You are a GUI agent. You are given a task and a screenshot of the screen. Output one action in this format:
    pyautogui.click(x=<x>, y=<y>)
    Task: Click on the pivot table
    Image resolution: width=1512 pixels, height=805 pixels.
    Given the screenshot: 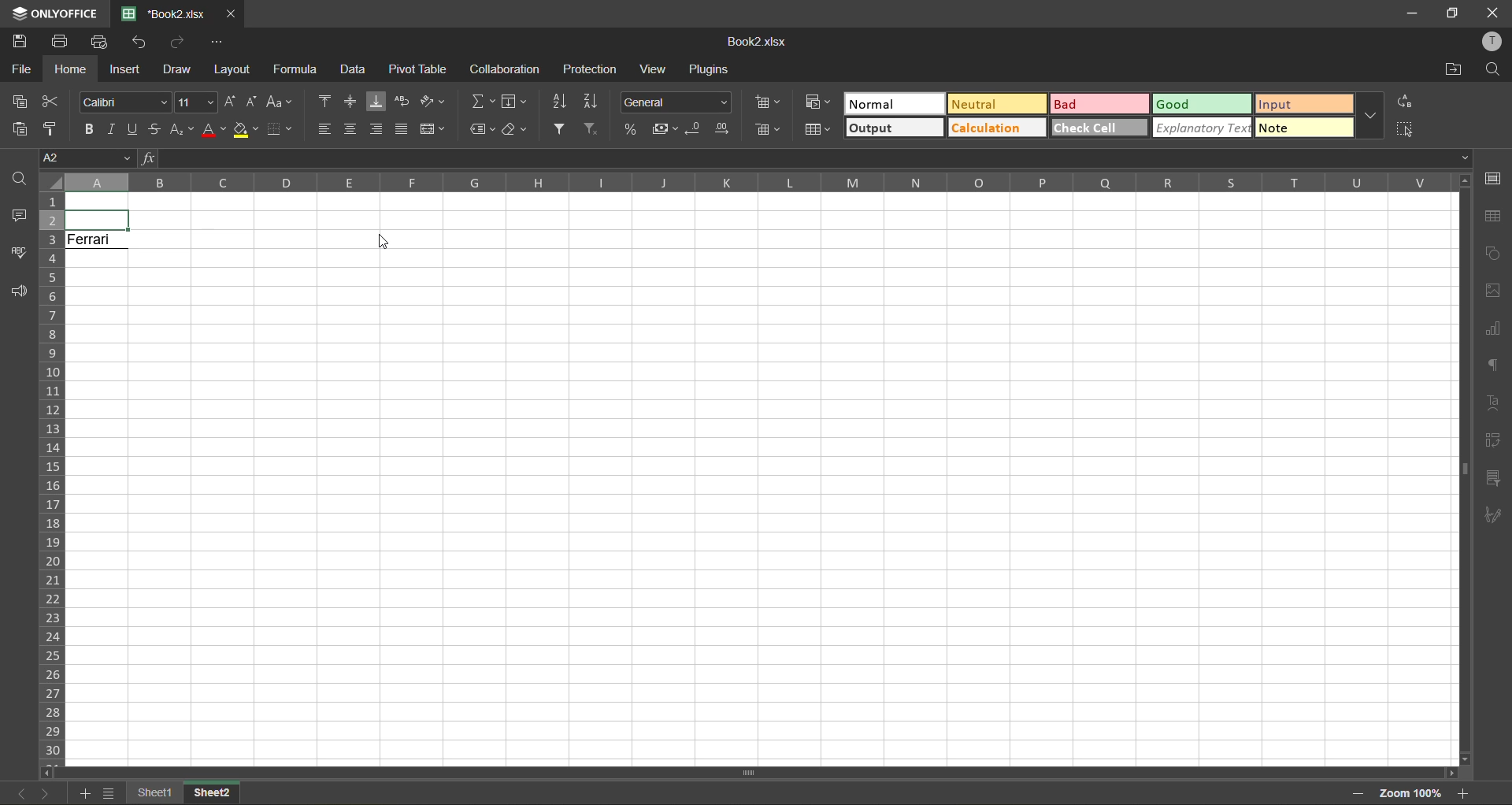 What is the action you would take?
    pyautogui.click(x=1496, y=440)
    